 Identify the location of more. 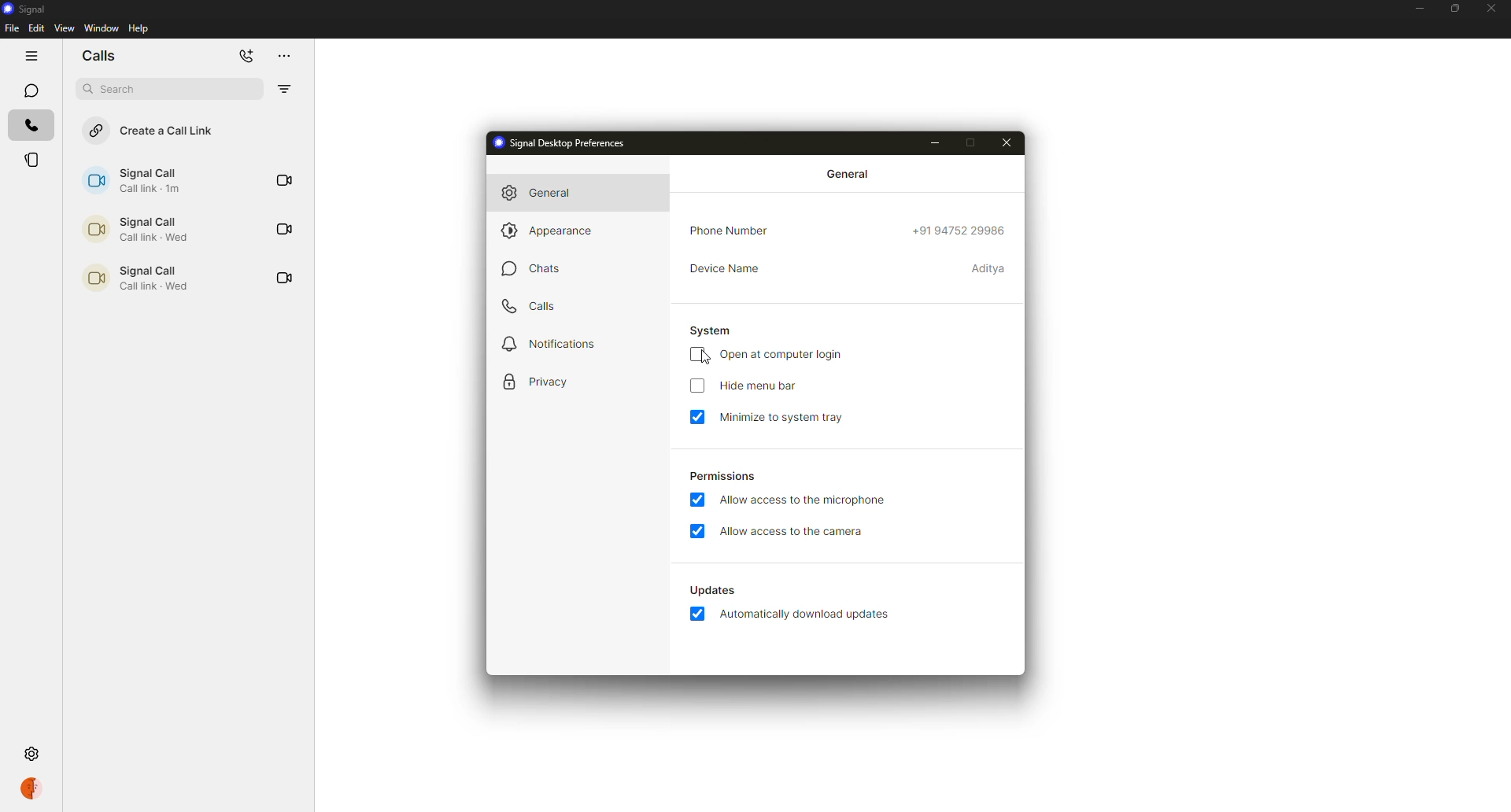
(282, 55).